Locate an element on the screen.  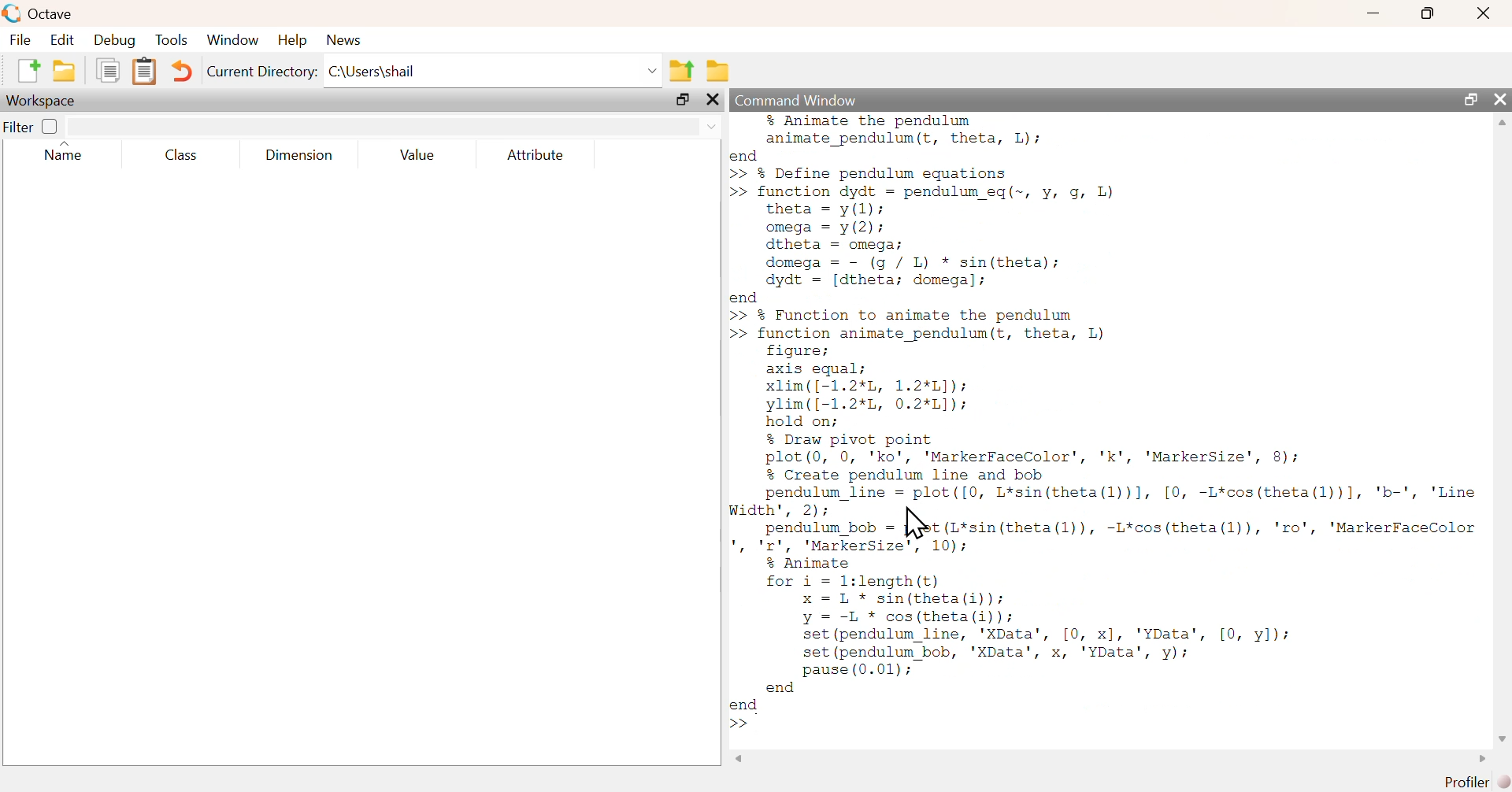
copy is located at coordinates (111, 69).